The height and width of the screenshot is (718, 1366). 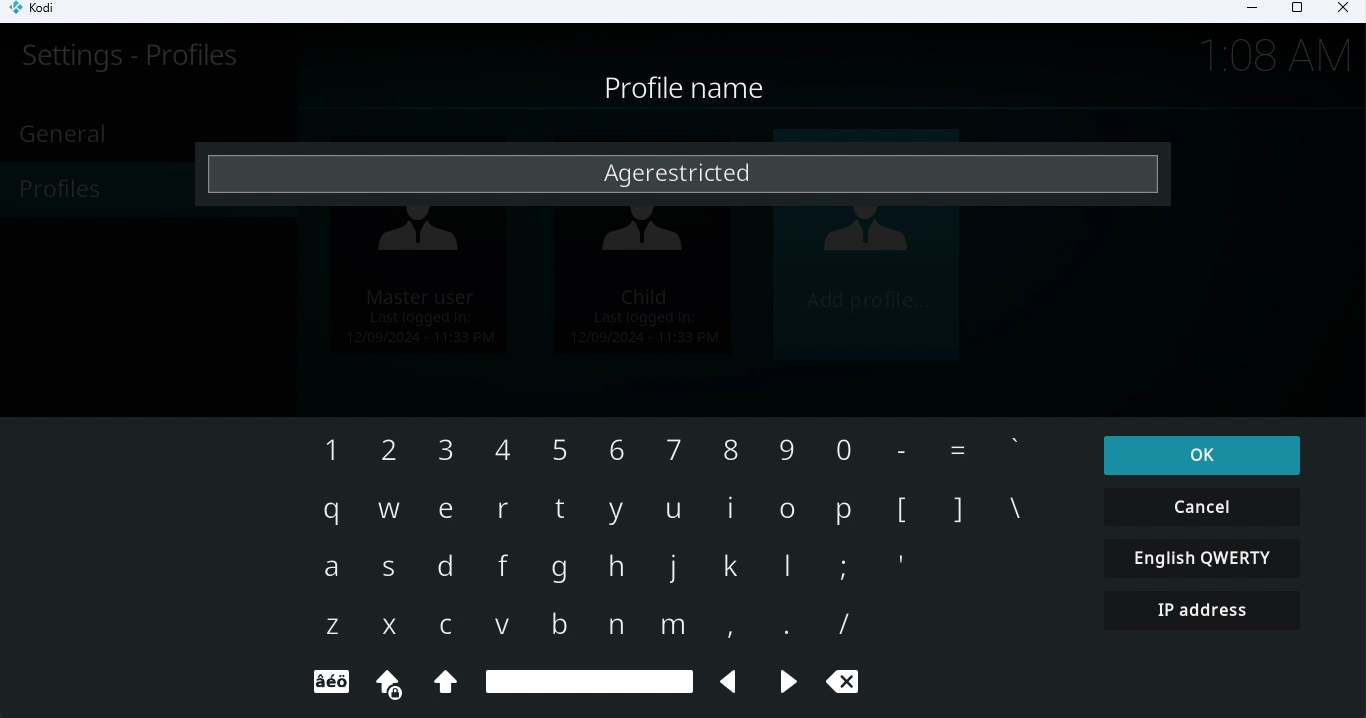 I want to click on ok, so click(x=1202, y=452).